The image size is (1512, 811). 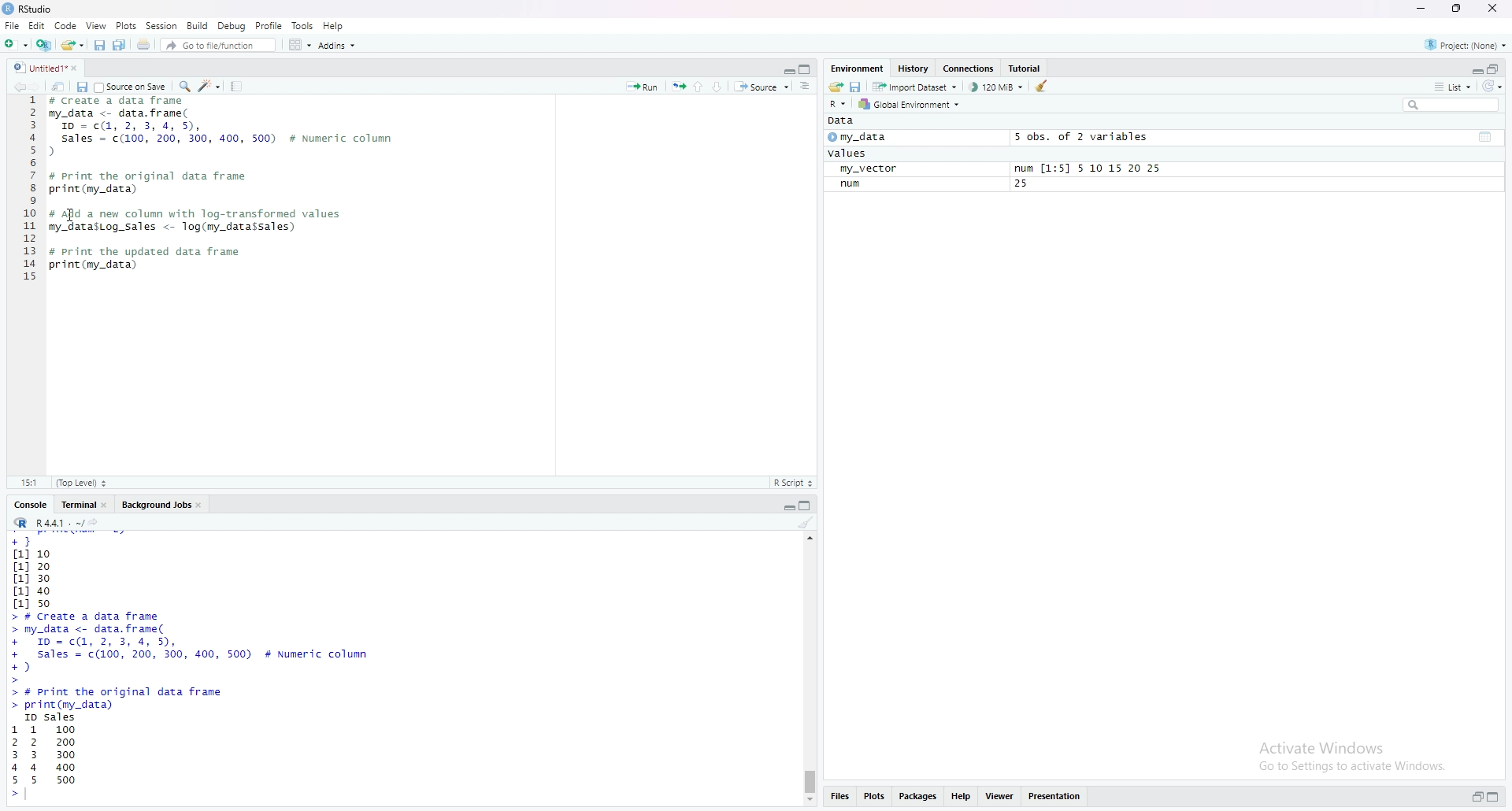 I want to click on minimize, so click(x=784, y=506).